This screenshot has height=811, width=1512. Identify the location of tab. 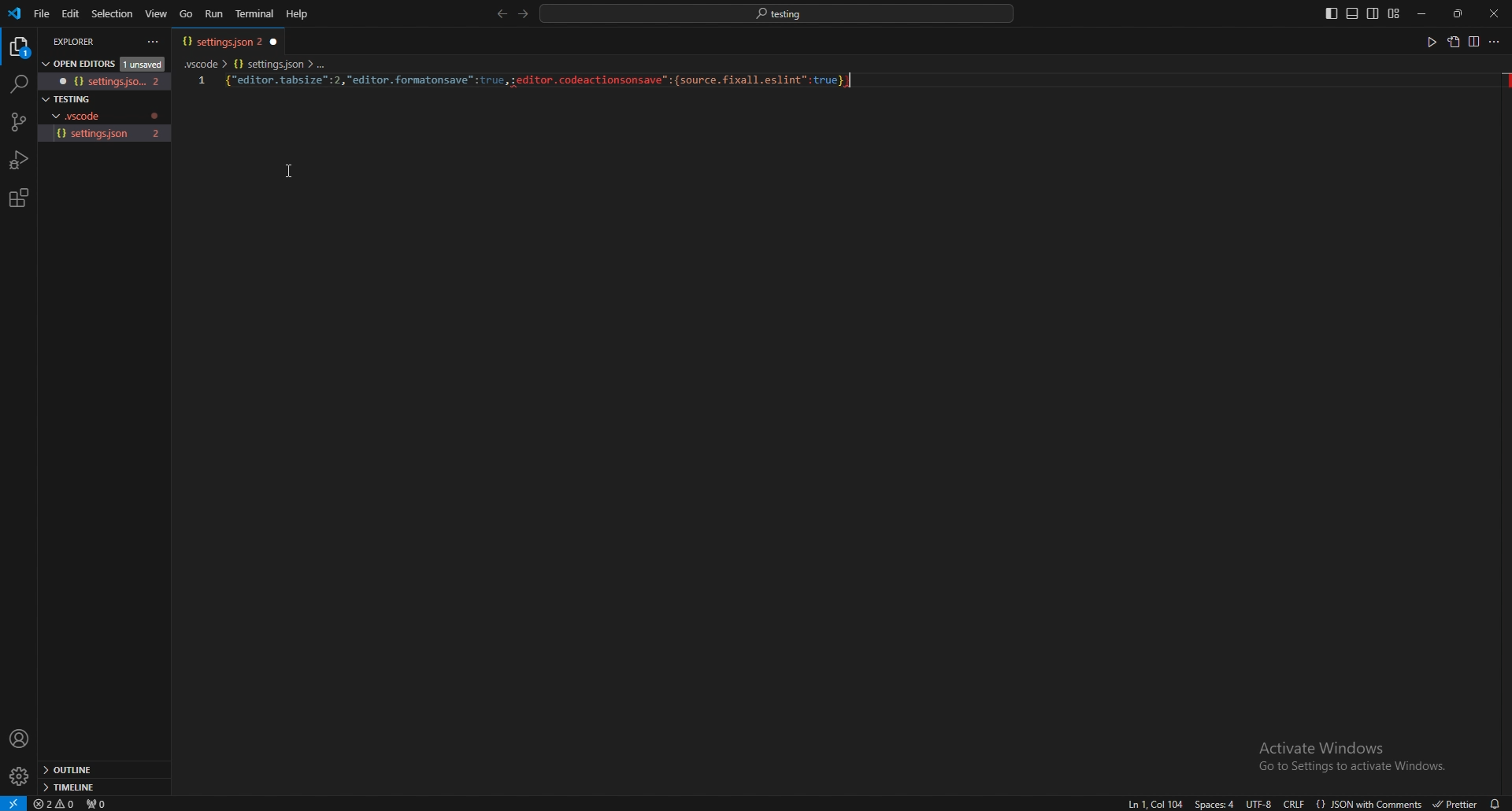
(221, 41).